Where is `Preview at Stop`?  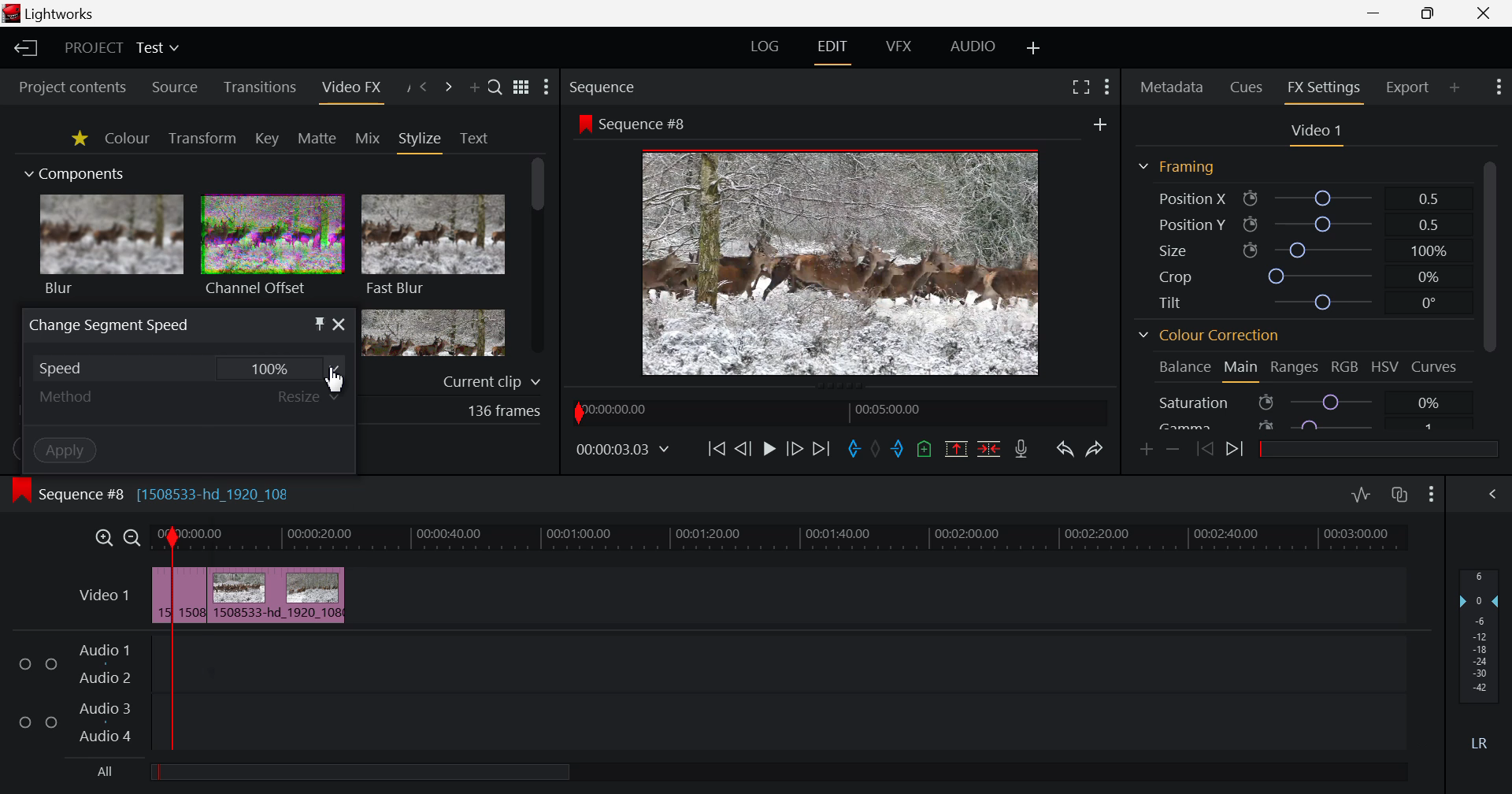 Preview at Stop is located at coordinates (859, 260).